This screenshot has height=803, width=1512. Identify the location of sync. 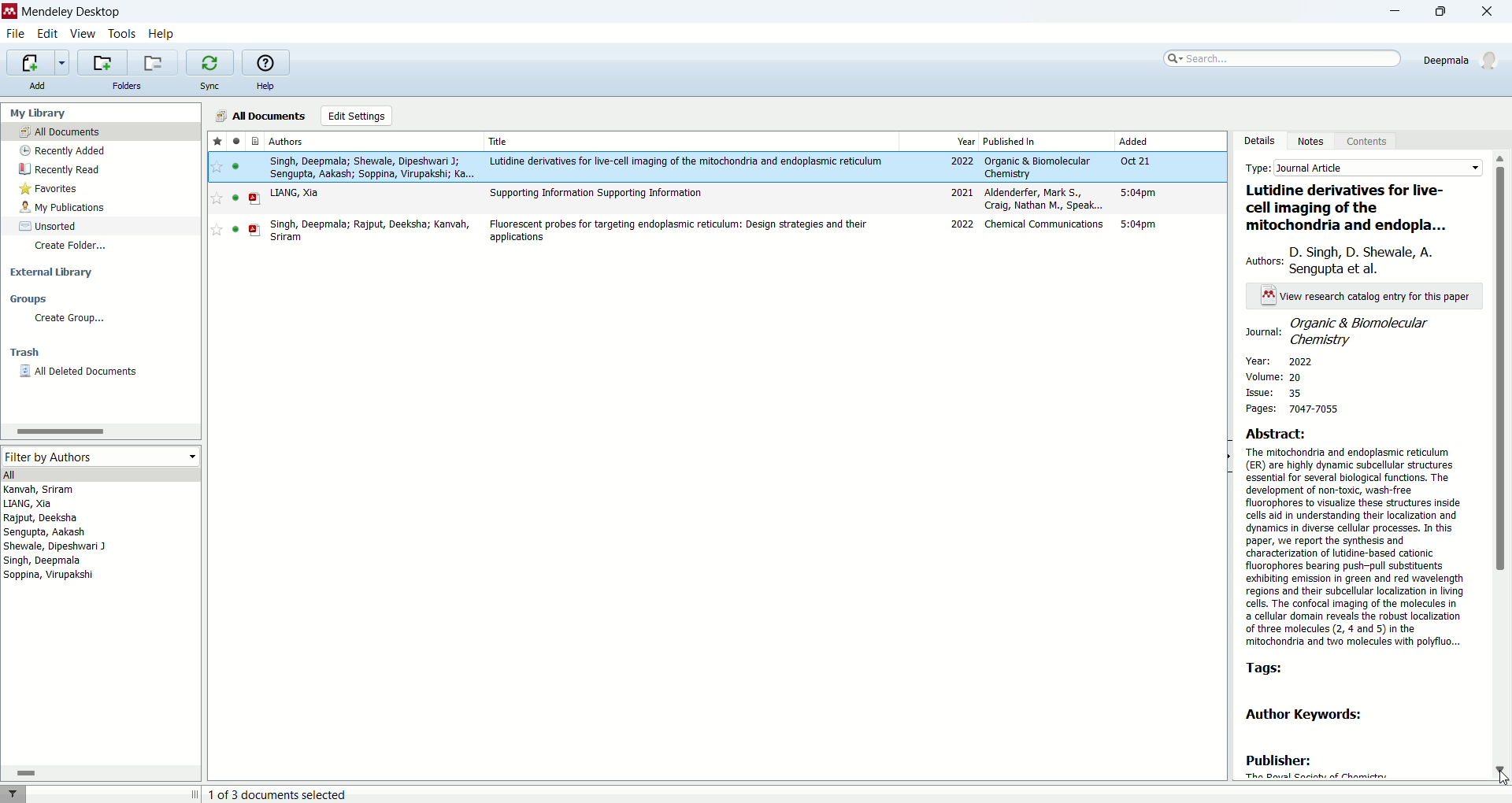
(209, 86).